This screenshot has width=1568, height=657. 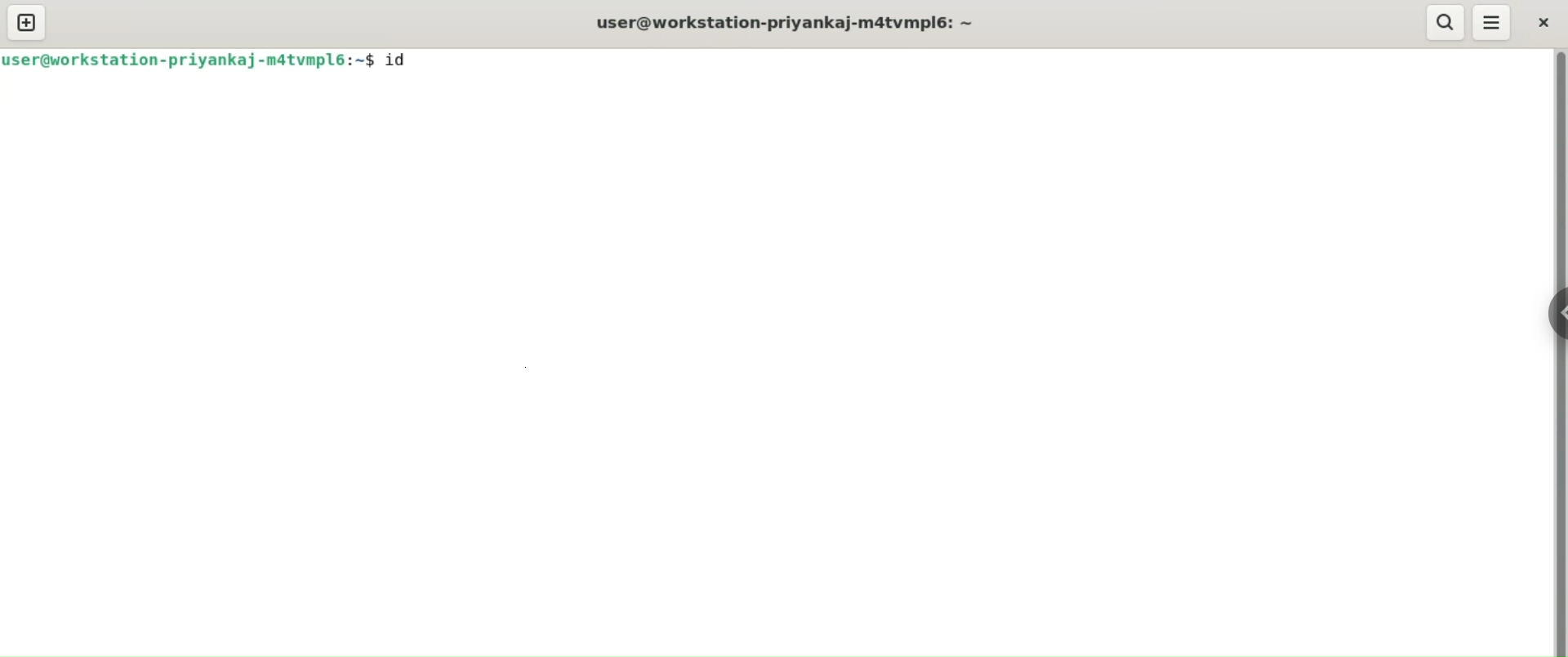 What do you see at coordinates (789, 25) in the screenshot?
I see `terminal title: user@workstation-priyankaj-m4tvmpl6: ~` at bounding box center [789, 25].